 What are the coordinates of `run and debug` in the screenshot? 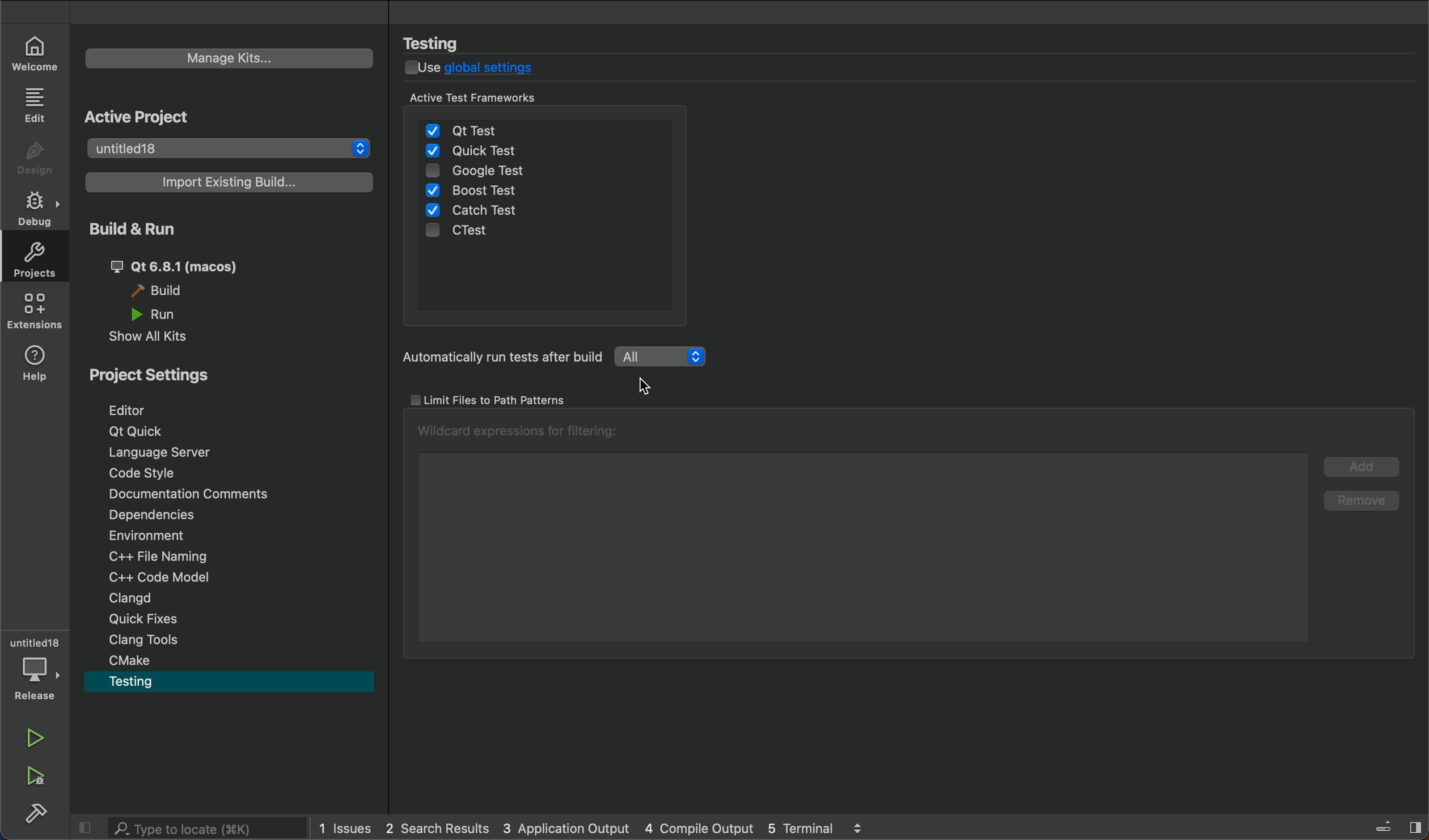 It's located at (34, 774).